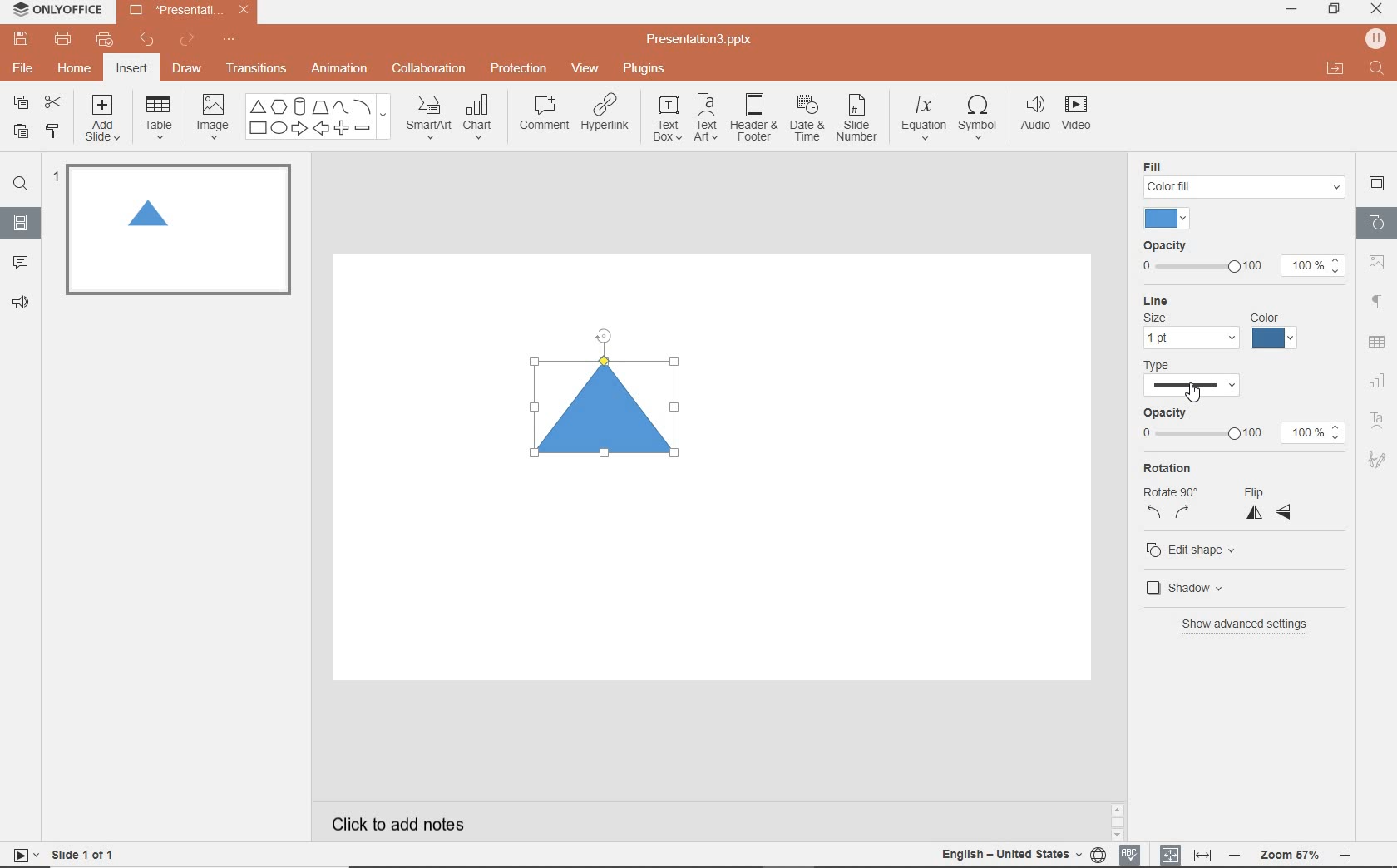 The height and width of the screenshot is (868, 1397). Describe the element at coordinates (1244, 178) in the screenshot. I see `fill` at that location.